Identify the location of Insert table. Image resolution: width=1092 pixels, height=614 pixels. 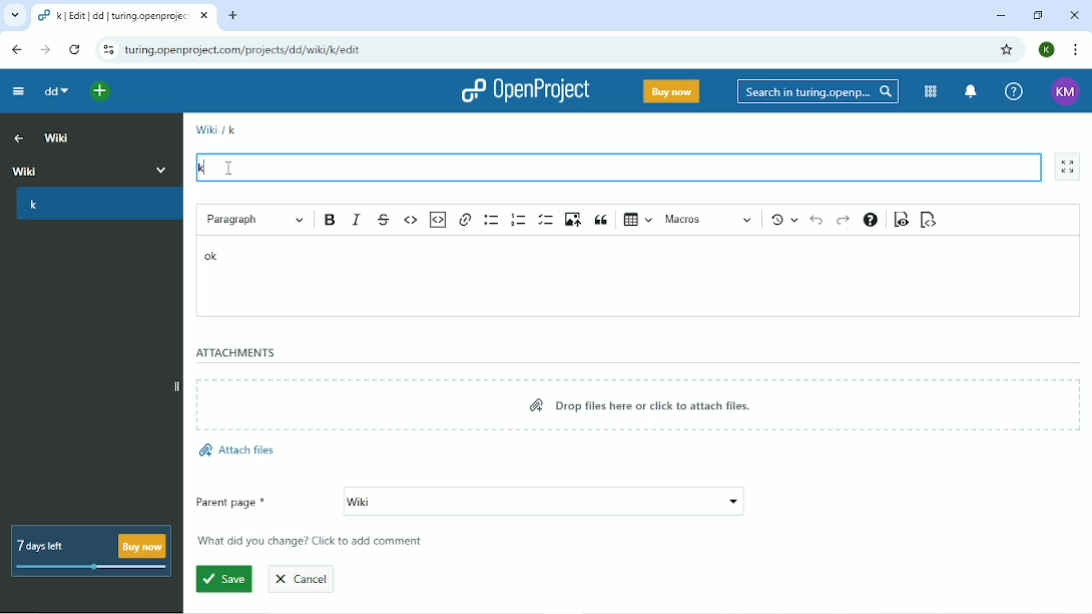
(636, 221).